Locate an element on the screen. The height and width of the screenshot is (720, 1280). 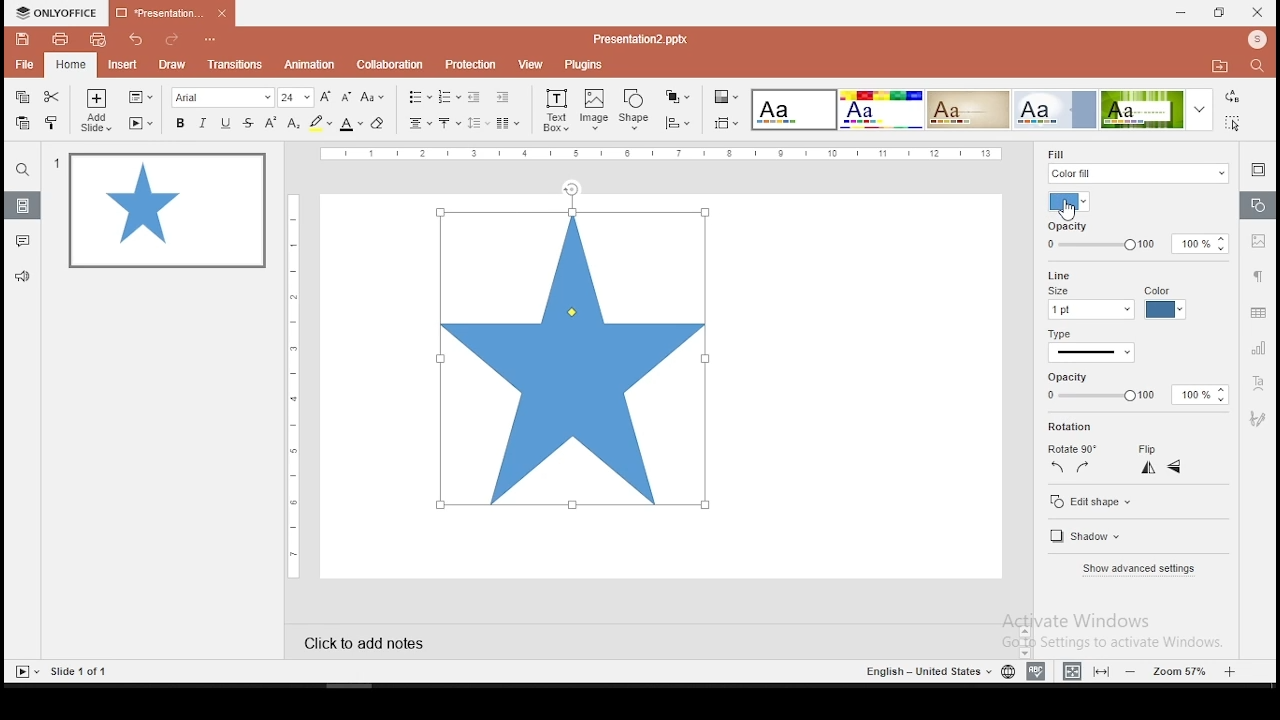
presentation2.pptx is located at coordinates (637, 40).